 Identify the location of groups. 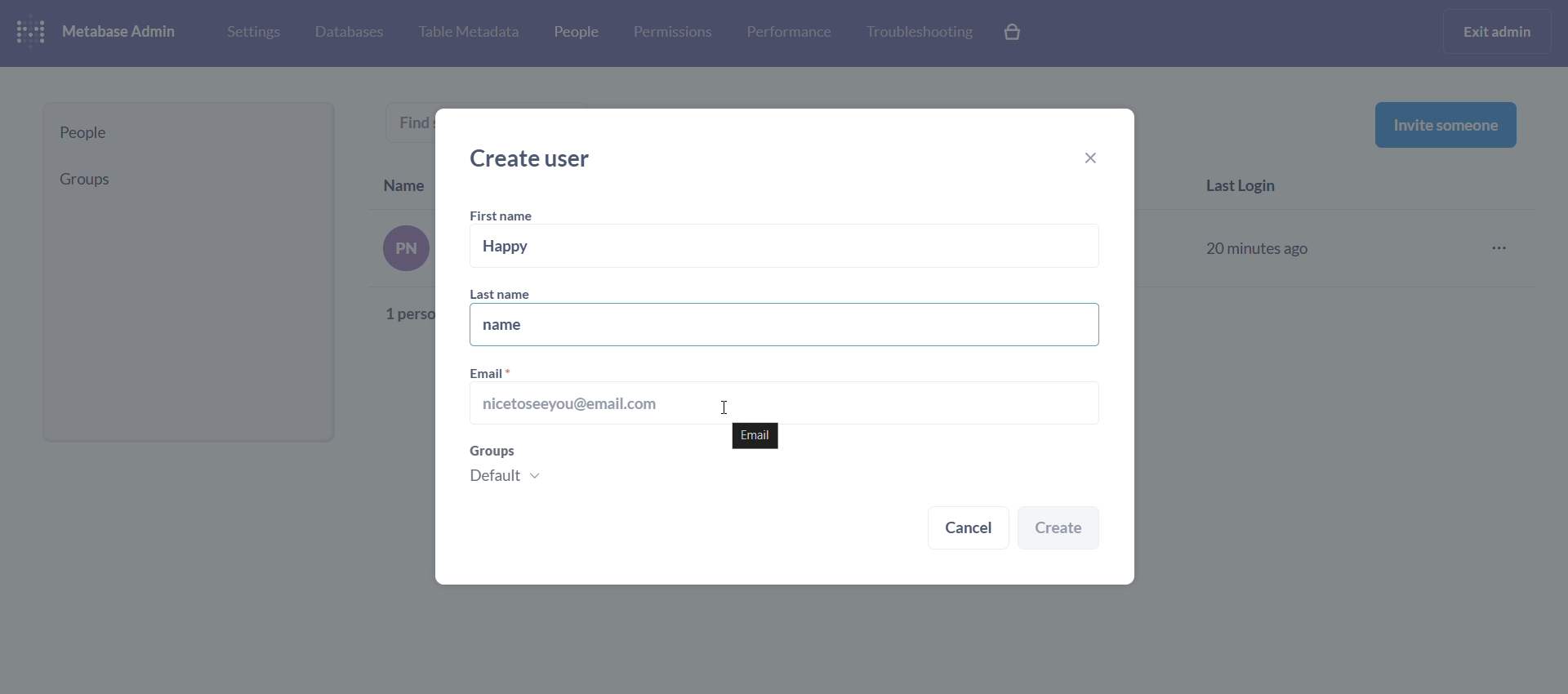
(182, 179).